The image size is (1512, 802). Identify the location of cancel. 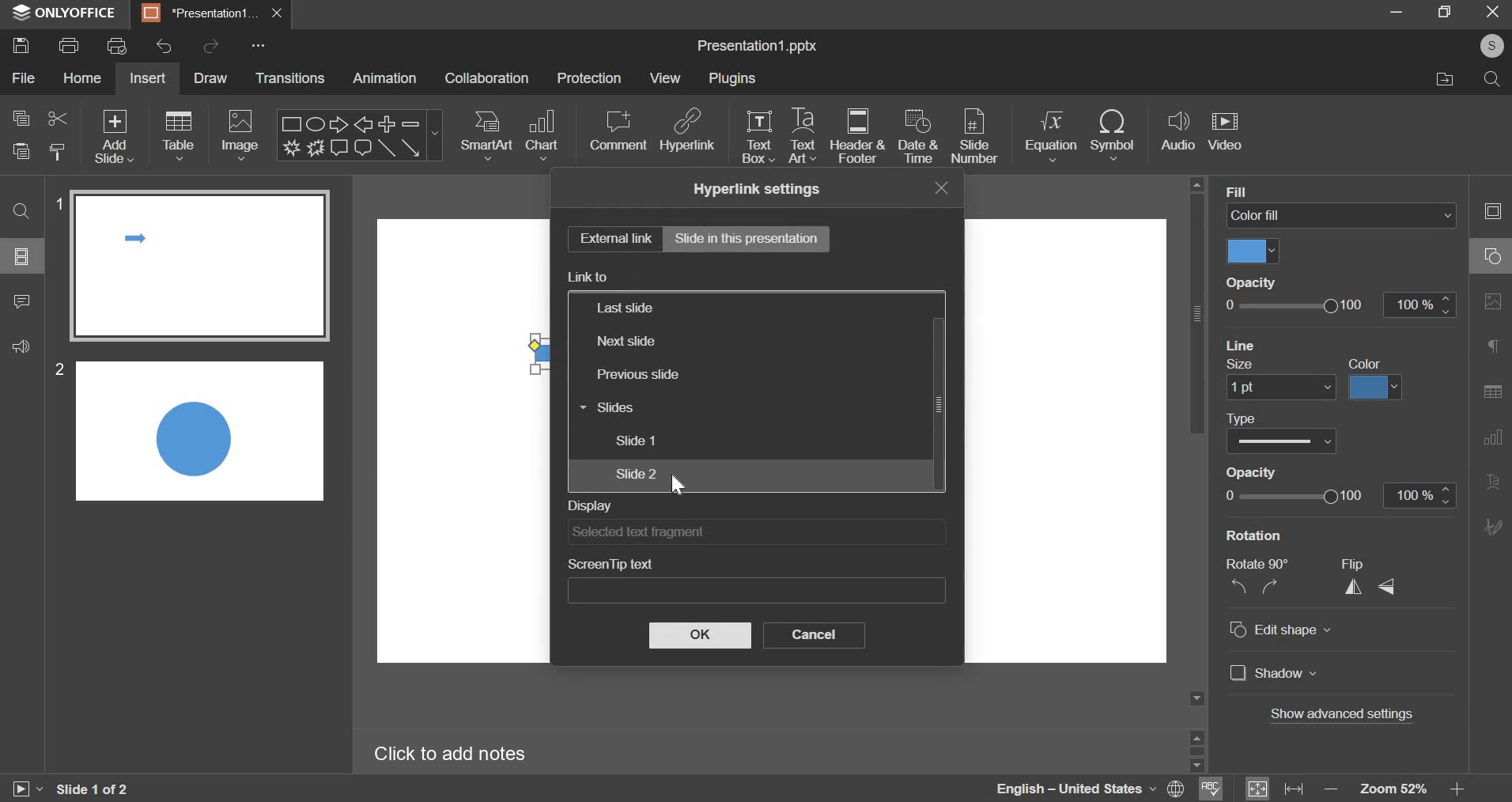
(815, 635).